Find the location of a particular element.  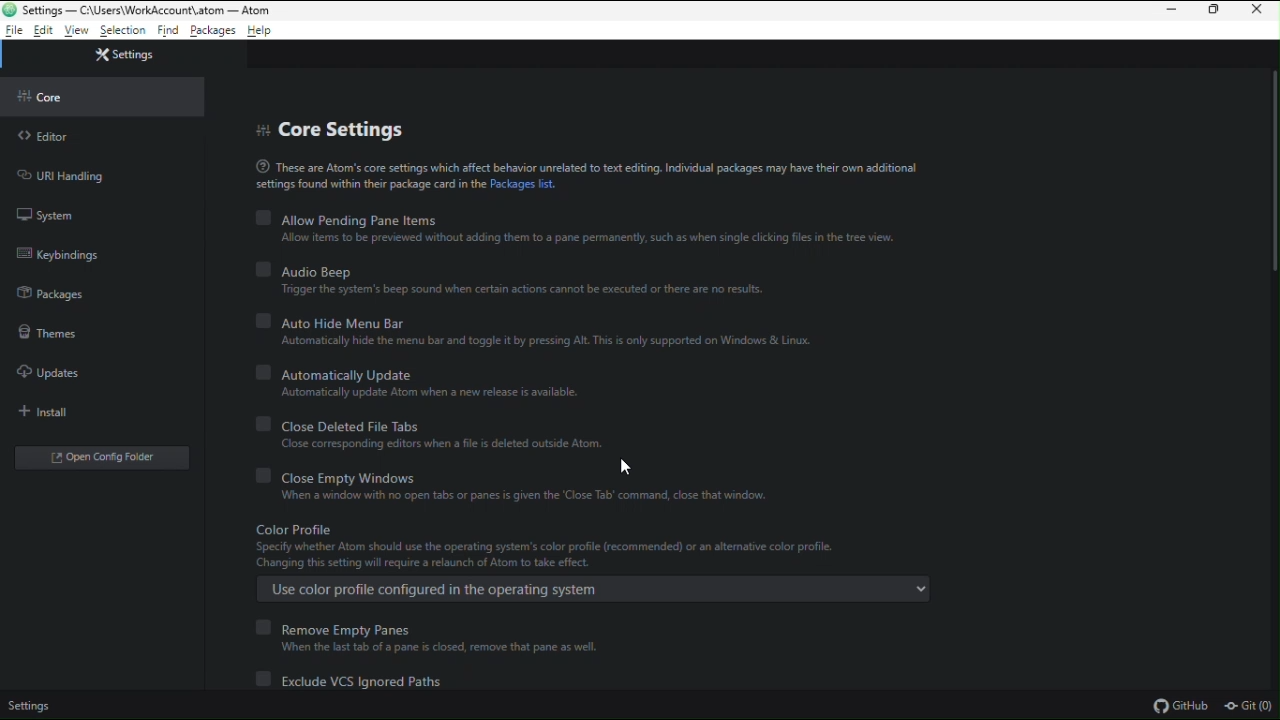

Edit is located at coordinates (44, 31).